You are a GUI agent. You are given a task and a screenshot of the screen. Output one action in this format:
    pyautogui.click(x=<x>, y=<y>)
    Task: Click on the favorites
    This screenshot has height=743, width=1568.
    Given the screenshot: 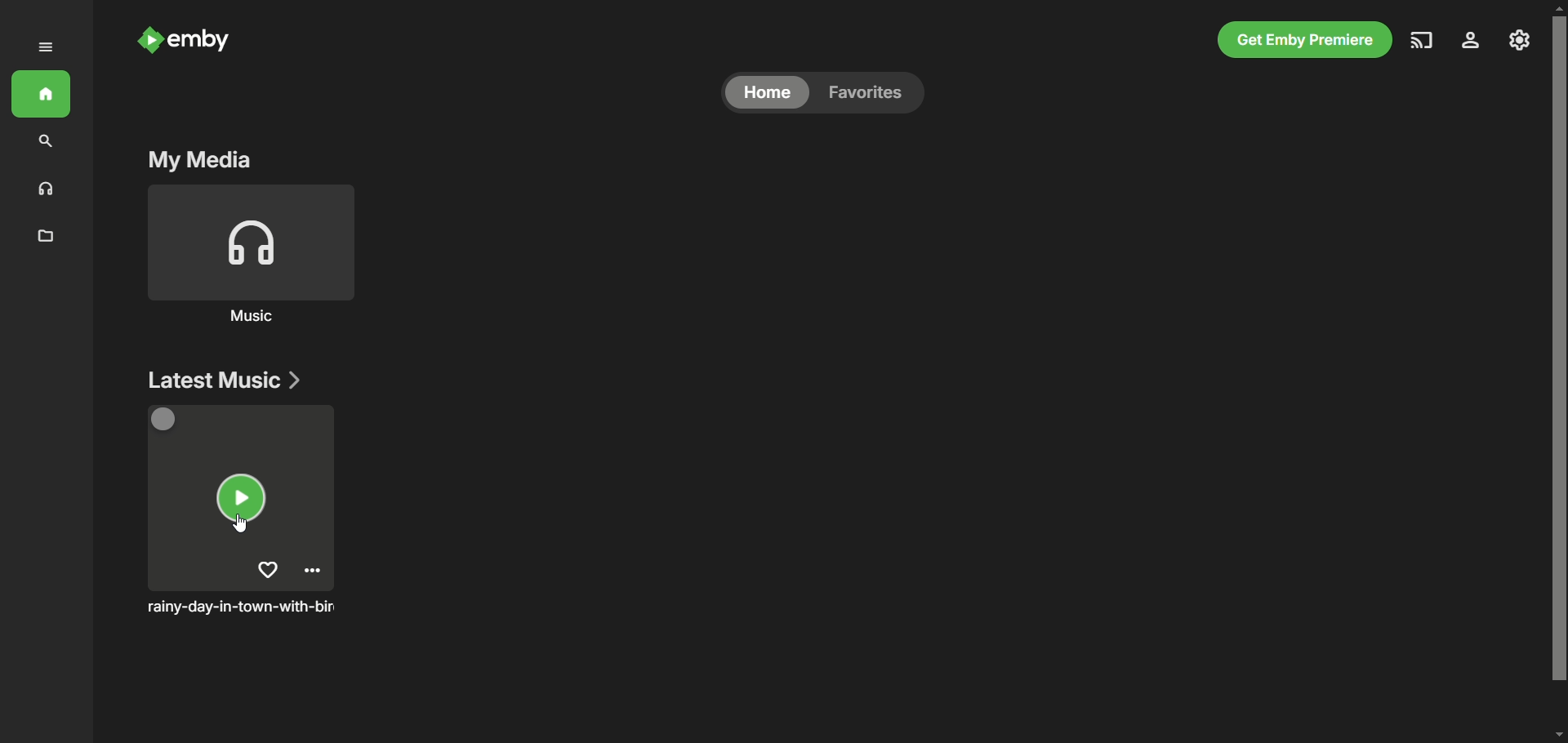 What is the action you would take?
    pyautogui.click(x=871, y=95)
    